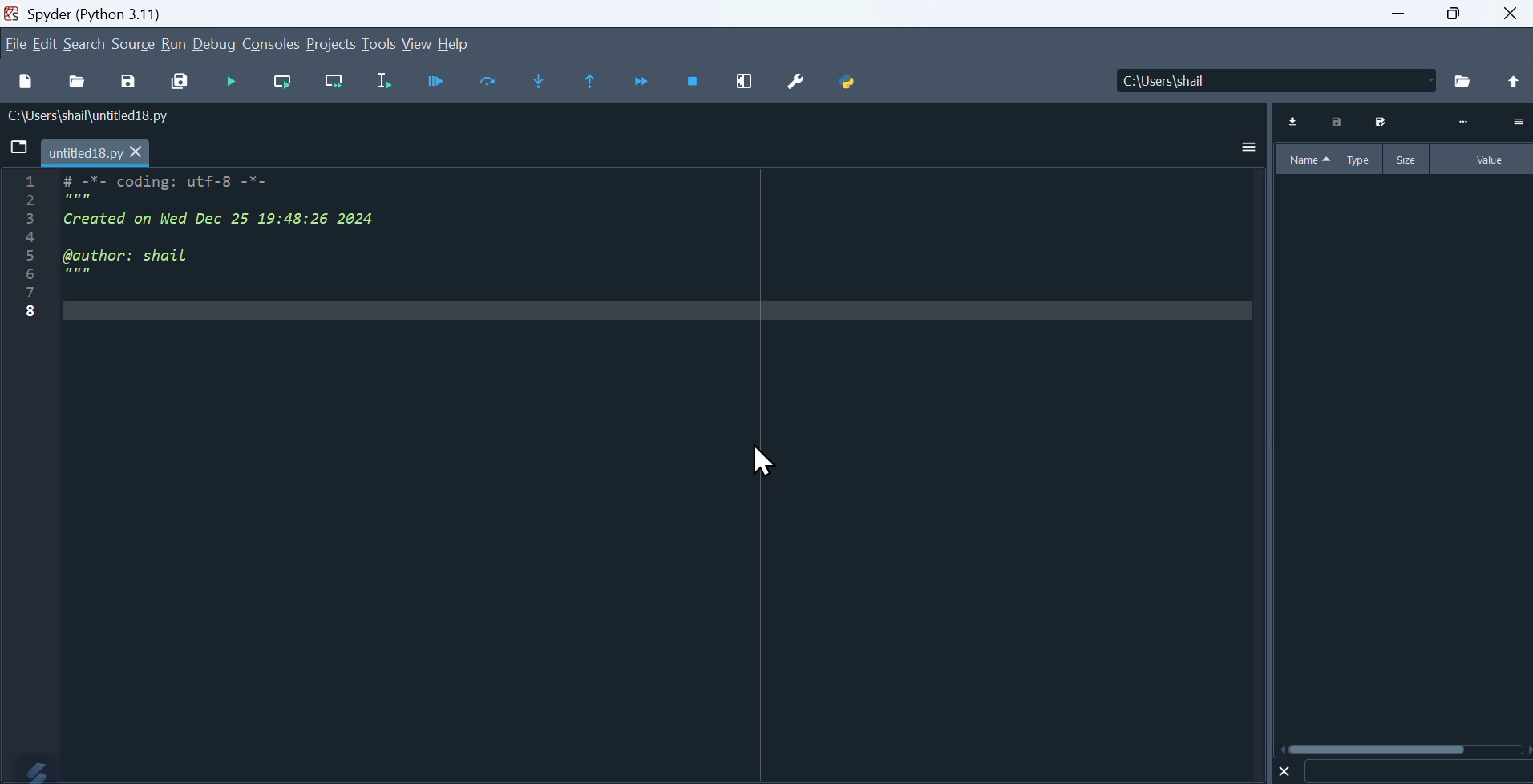 The image size is (1533, 784). I want to click on Run cell, so click(229, 83).